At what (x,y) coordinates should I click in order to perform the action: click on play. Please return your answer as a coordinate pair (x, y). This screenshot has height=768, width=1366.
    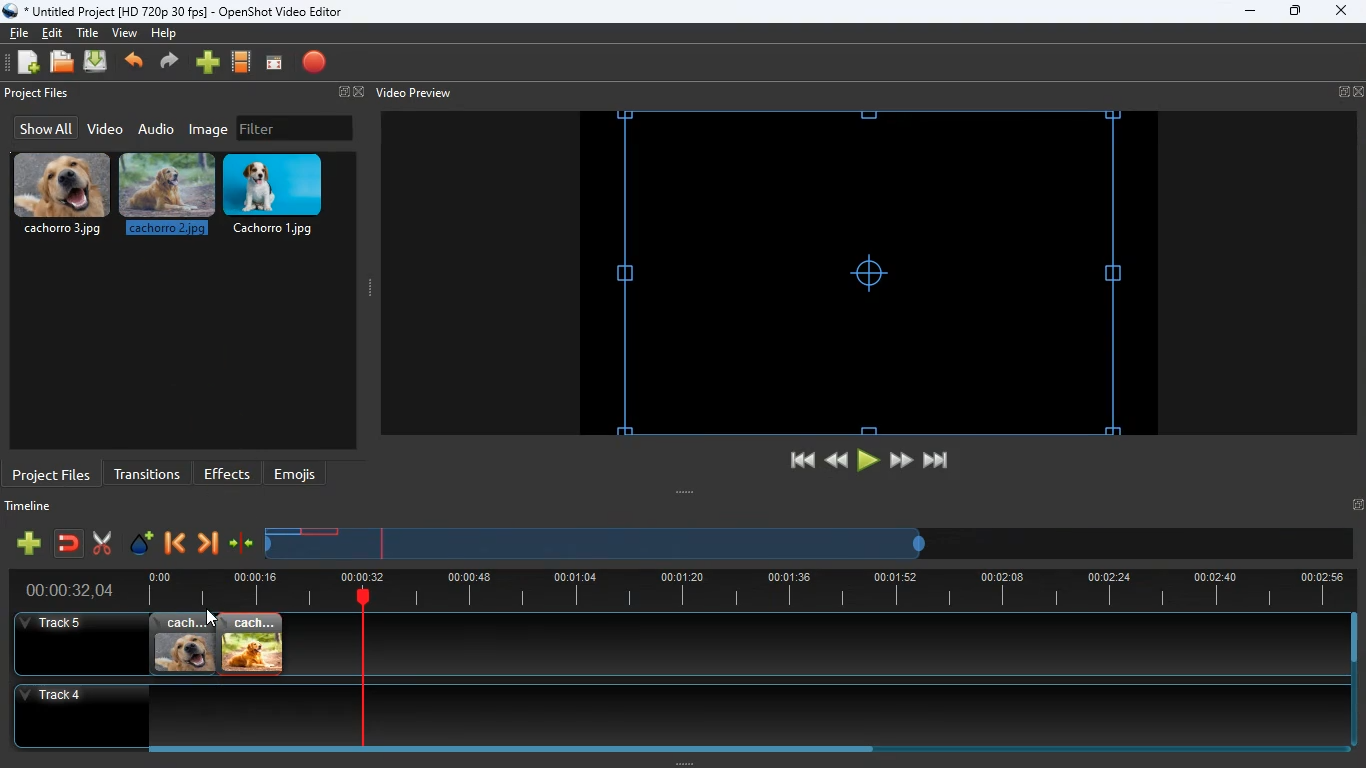
    Looking at the image, I should click on (868, 461).